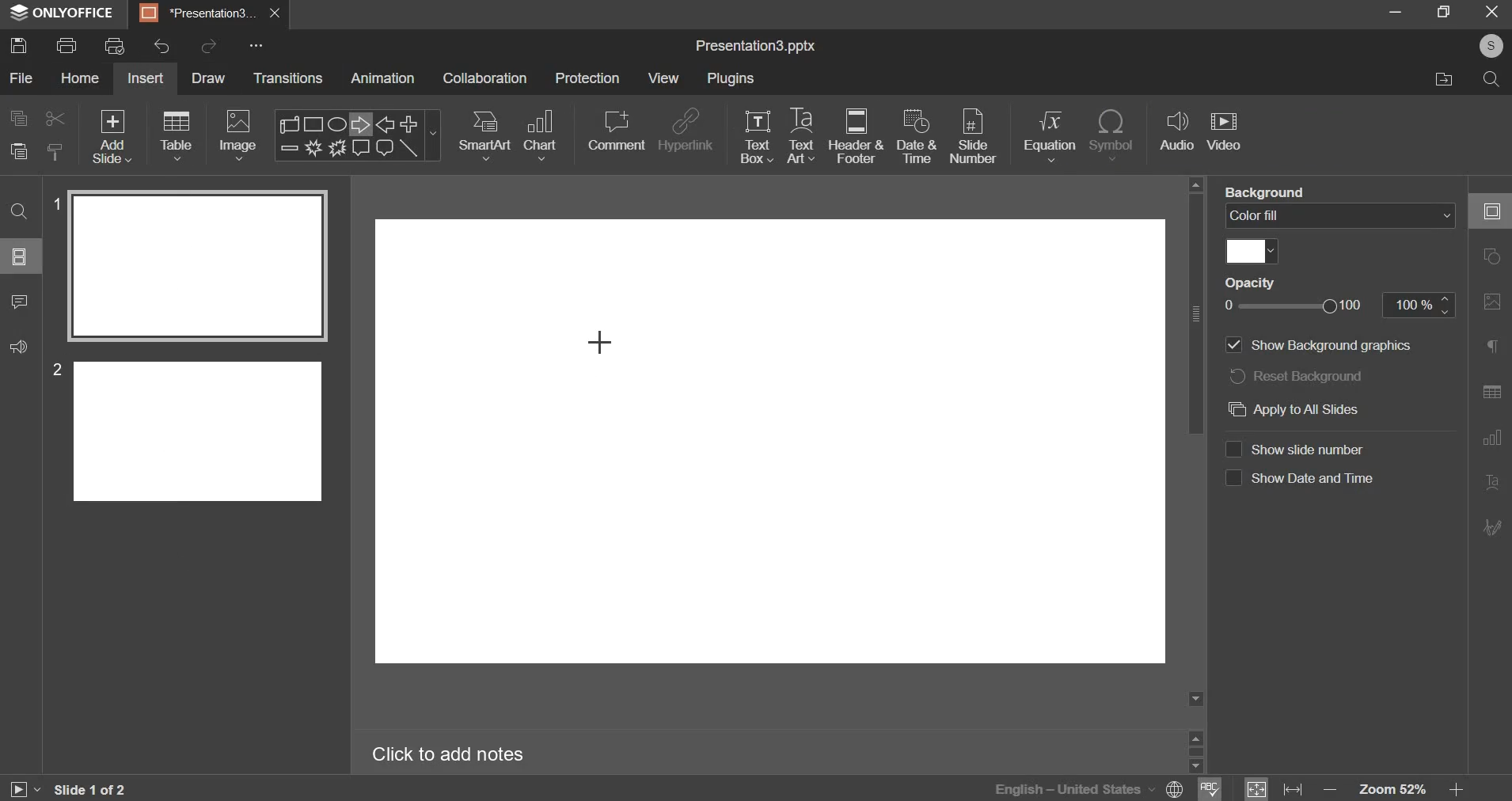  What do you see at coordinates (448, 755) in the screenshot?
I see `click here to add notes` at bounding box center [448, 755].